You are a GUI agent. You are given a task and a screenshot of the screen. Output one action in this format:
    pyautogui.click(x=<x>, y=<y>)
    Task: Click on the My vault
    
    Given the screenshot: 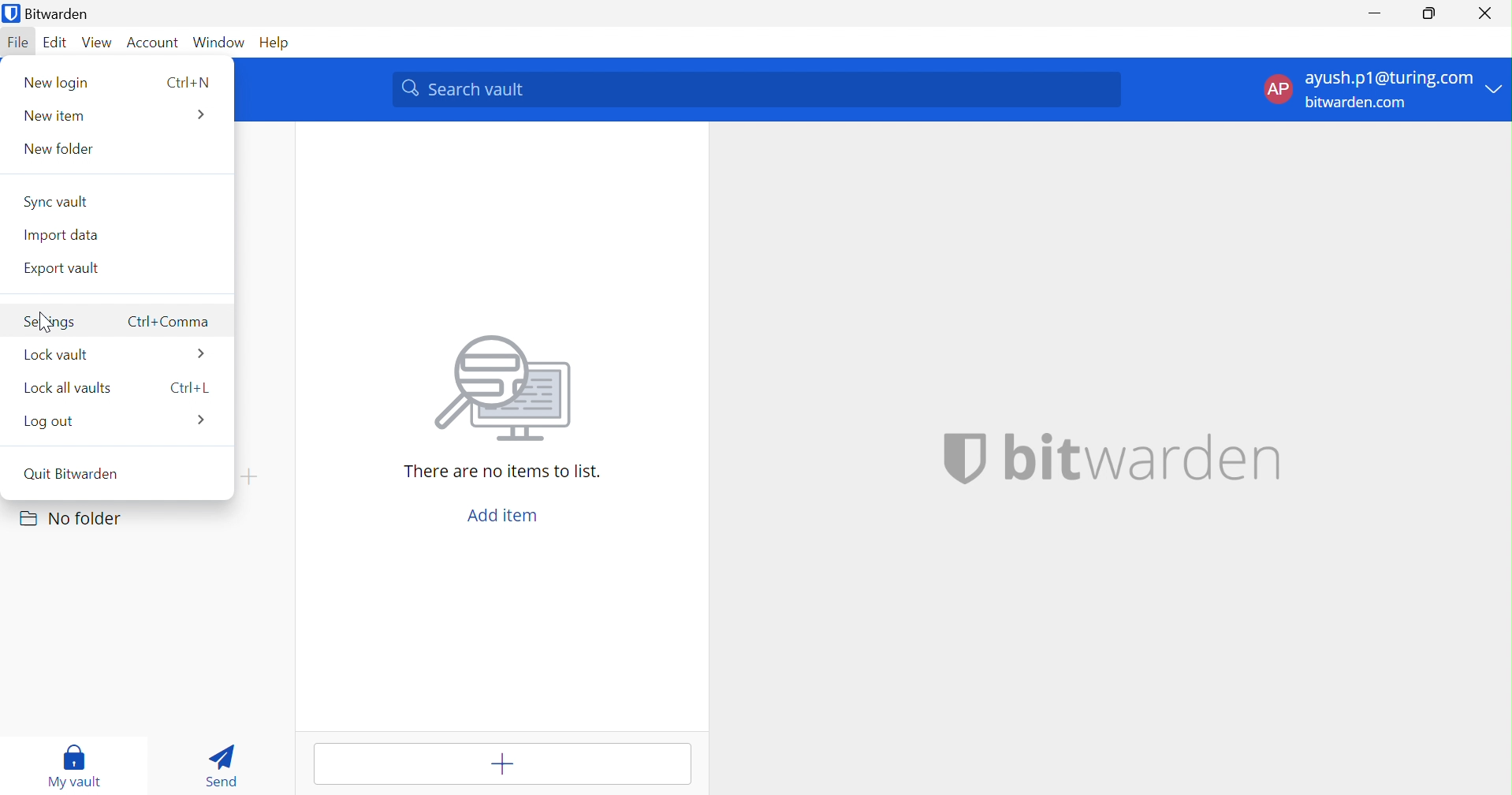 What is the action you would take?
    pyautogui.click(x=70, y=764)
    